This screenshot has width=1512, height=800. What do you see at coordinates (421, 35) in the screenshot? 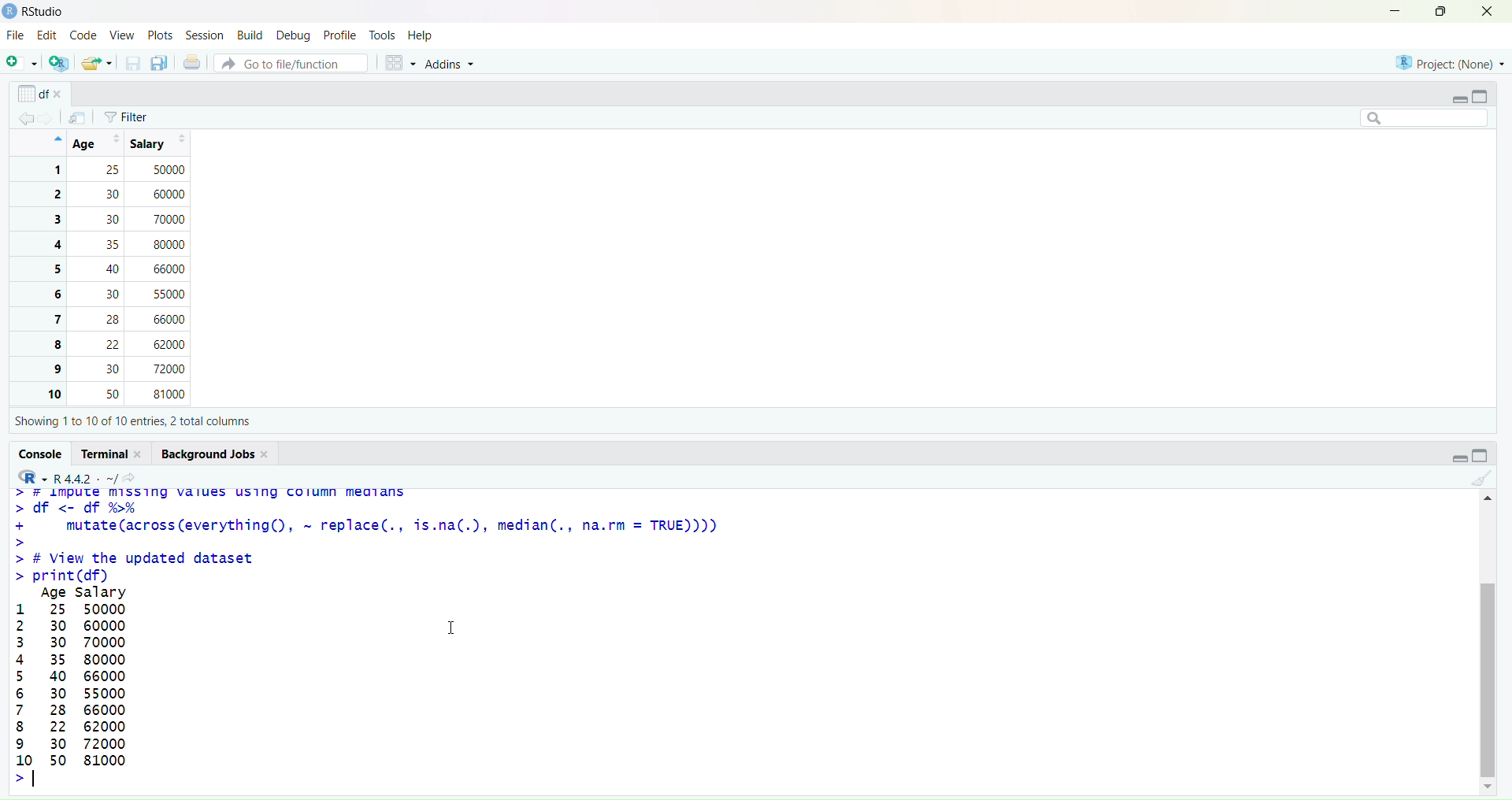
I see `help` at bounding box center [421, 35].